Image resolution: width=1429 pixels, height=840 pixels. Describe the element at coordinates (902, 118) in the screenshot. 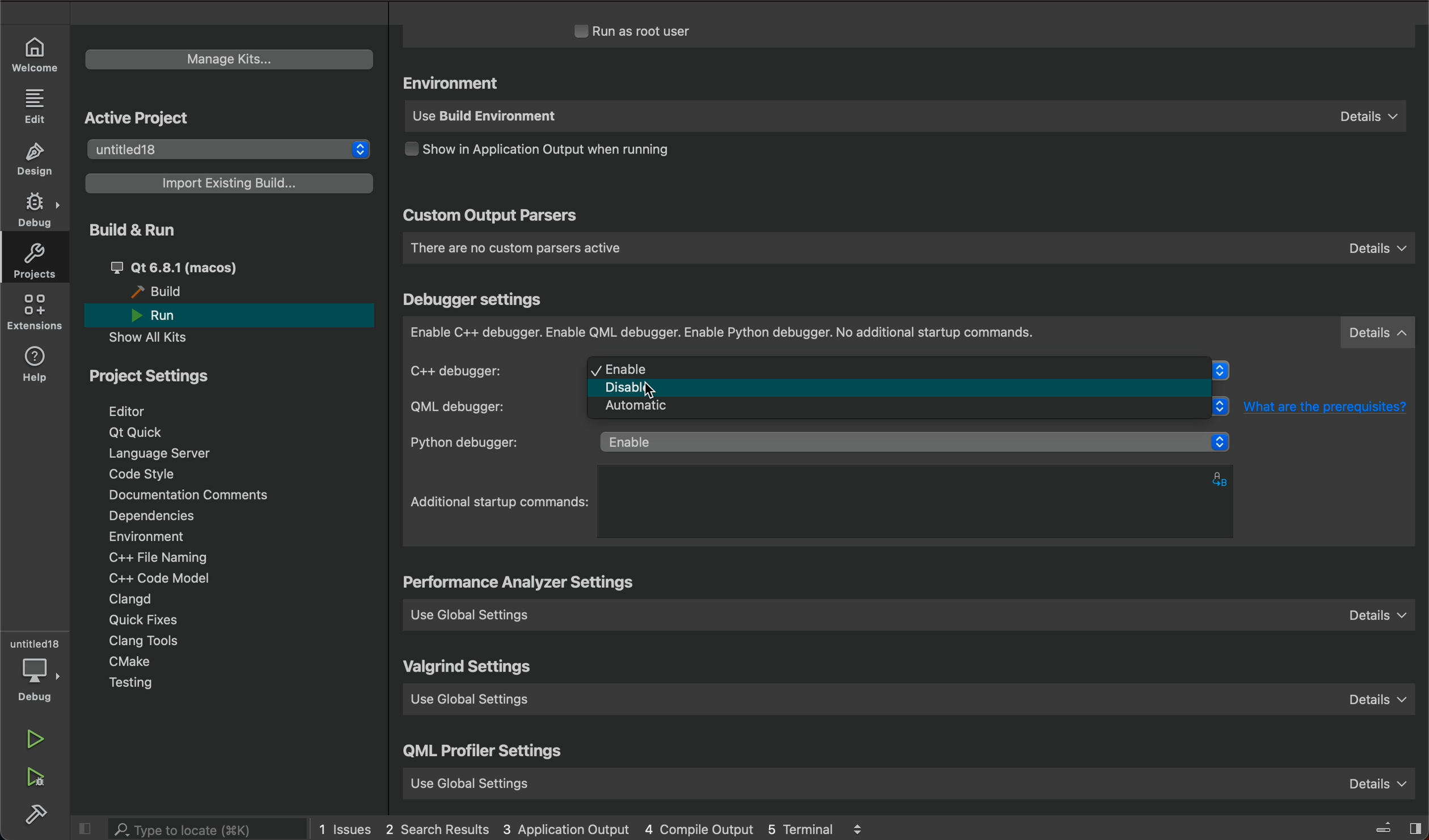

I see `use build ` at that location.